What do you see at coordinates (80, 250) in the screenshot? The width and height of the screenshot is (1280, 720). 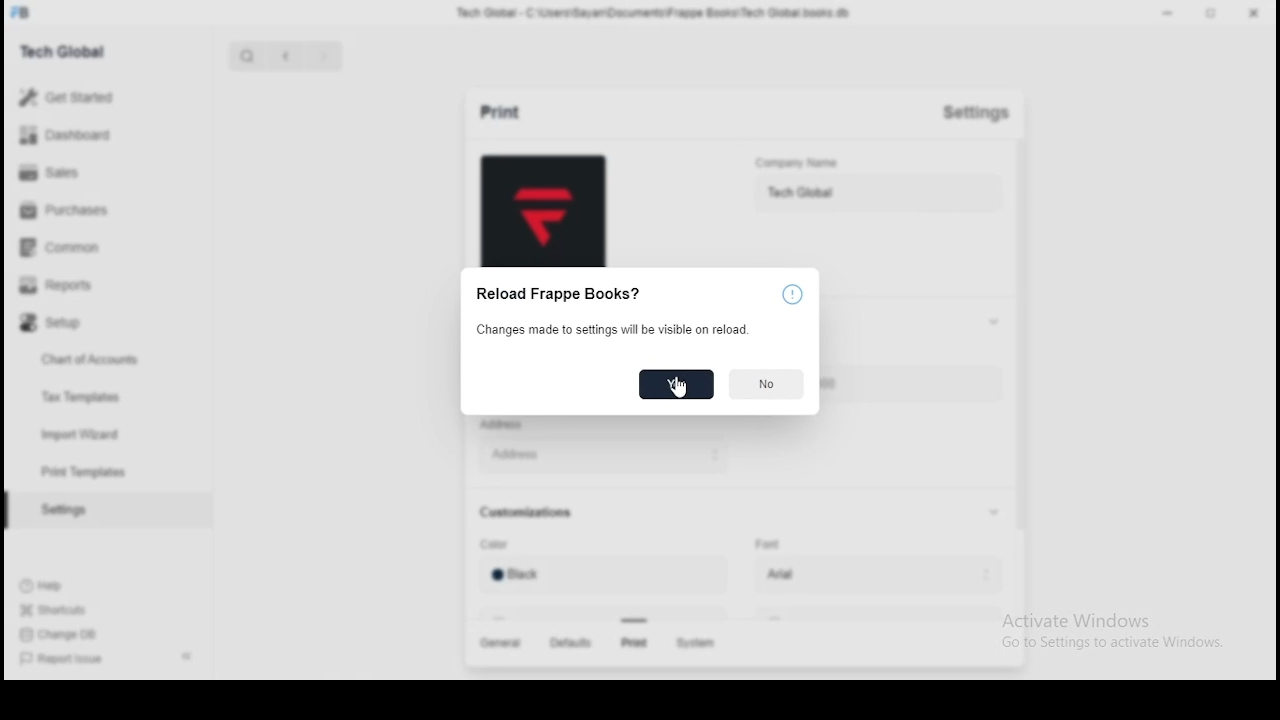 I see `common ` at bounding box center [80, 250].